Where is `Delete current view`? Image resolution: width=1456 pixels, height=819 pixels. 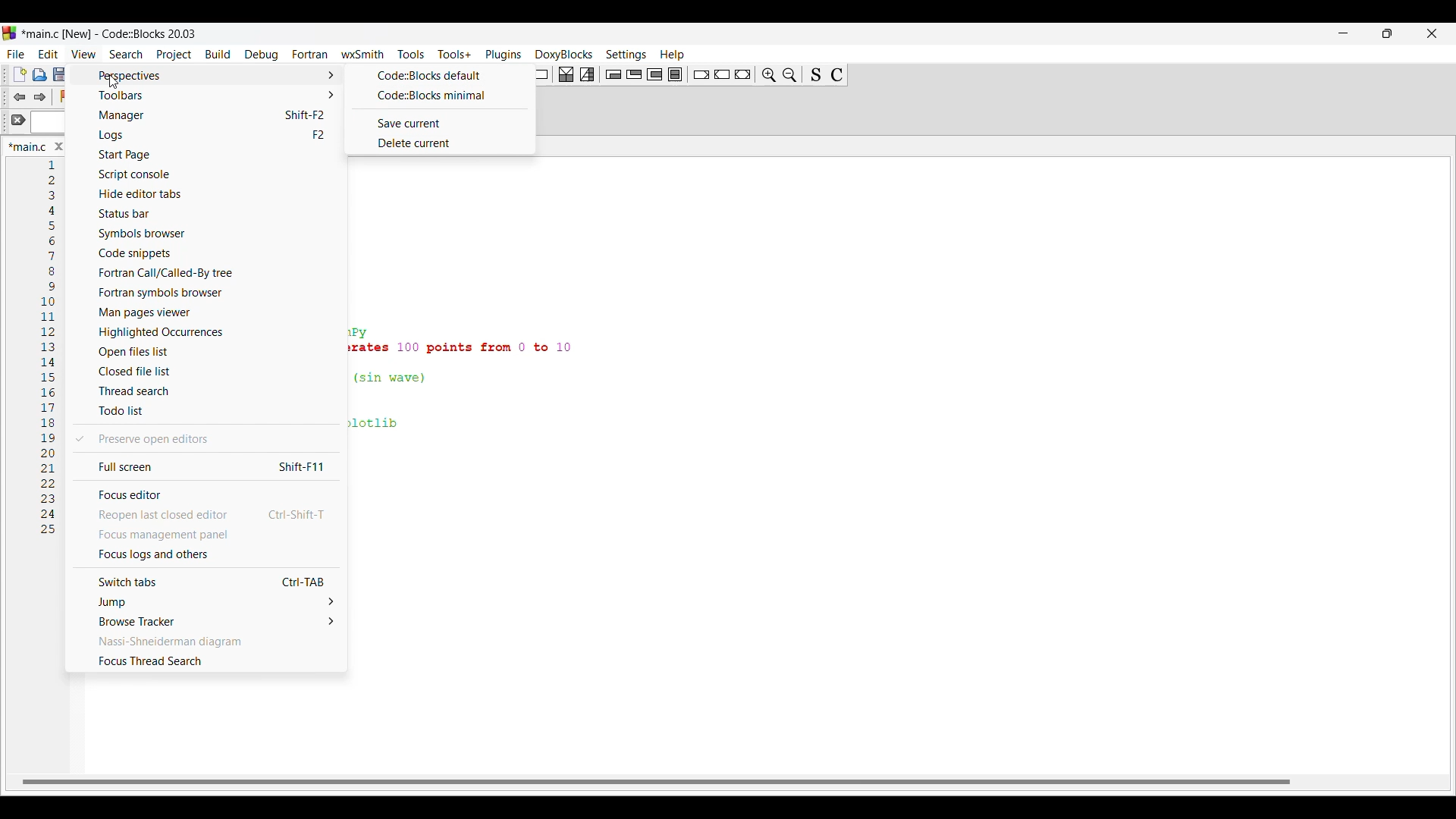
Delete current view is located at coordinates (436, 143).